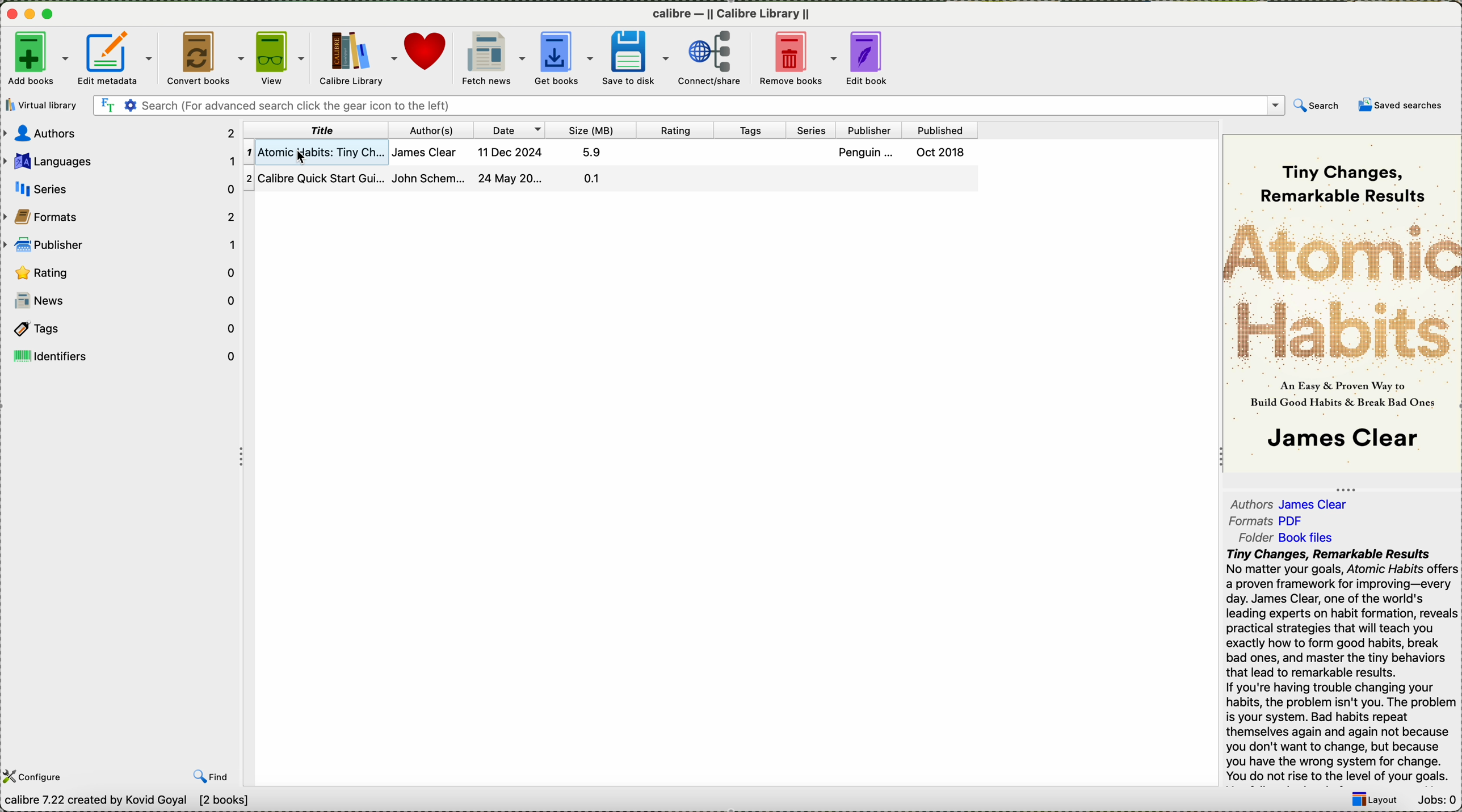 The width and height of the screenshot is (1462, 812). I want to click on identifiers, so click(124, 357).